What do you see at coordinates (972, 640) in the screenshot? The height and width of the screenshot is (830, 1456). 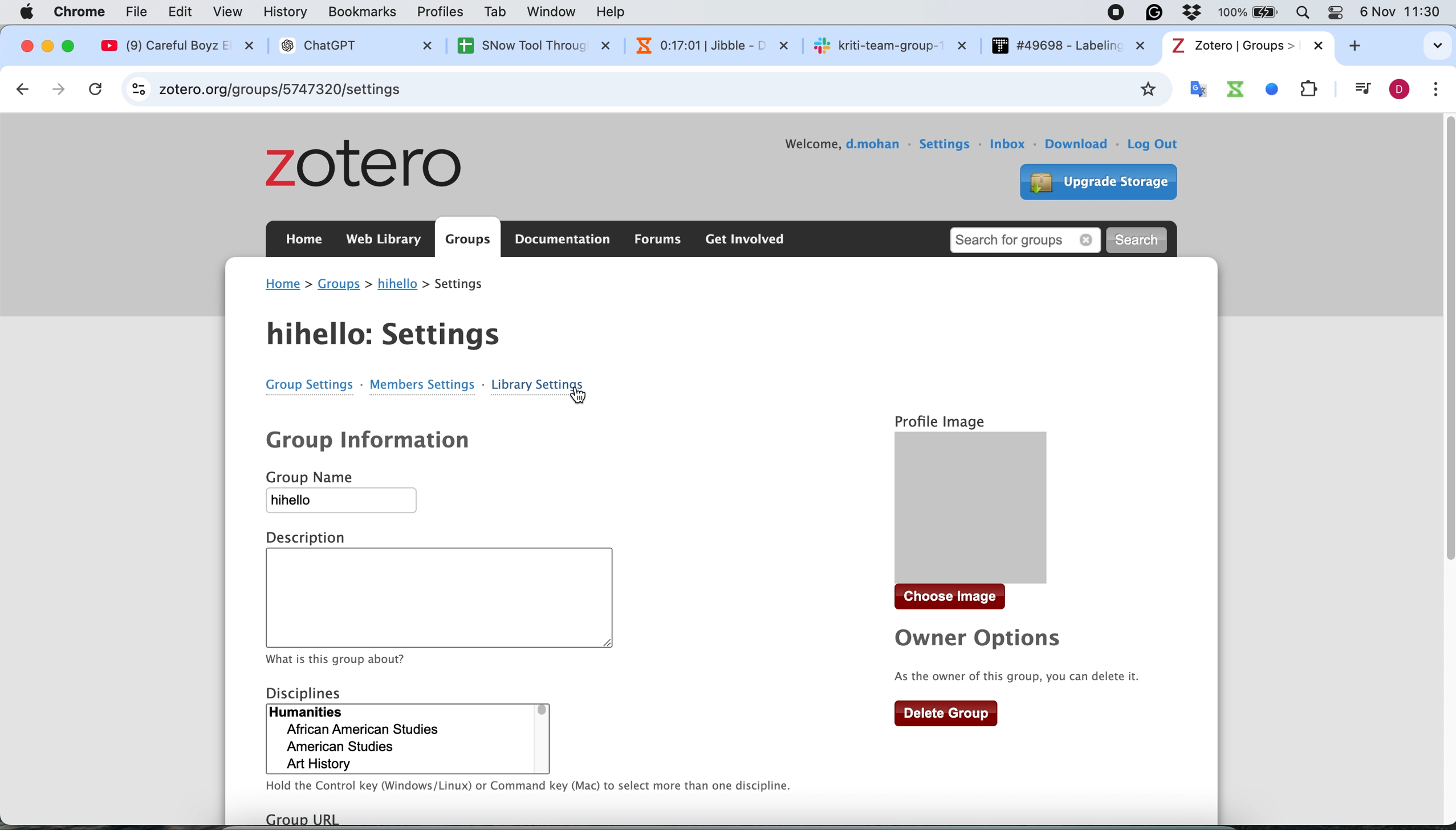 I see `owner options` at bounding box center [972, 640].